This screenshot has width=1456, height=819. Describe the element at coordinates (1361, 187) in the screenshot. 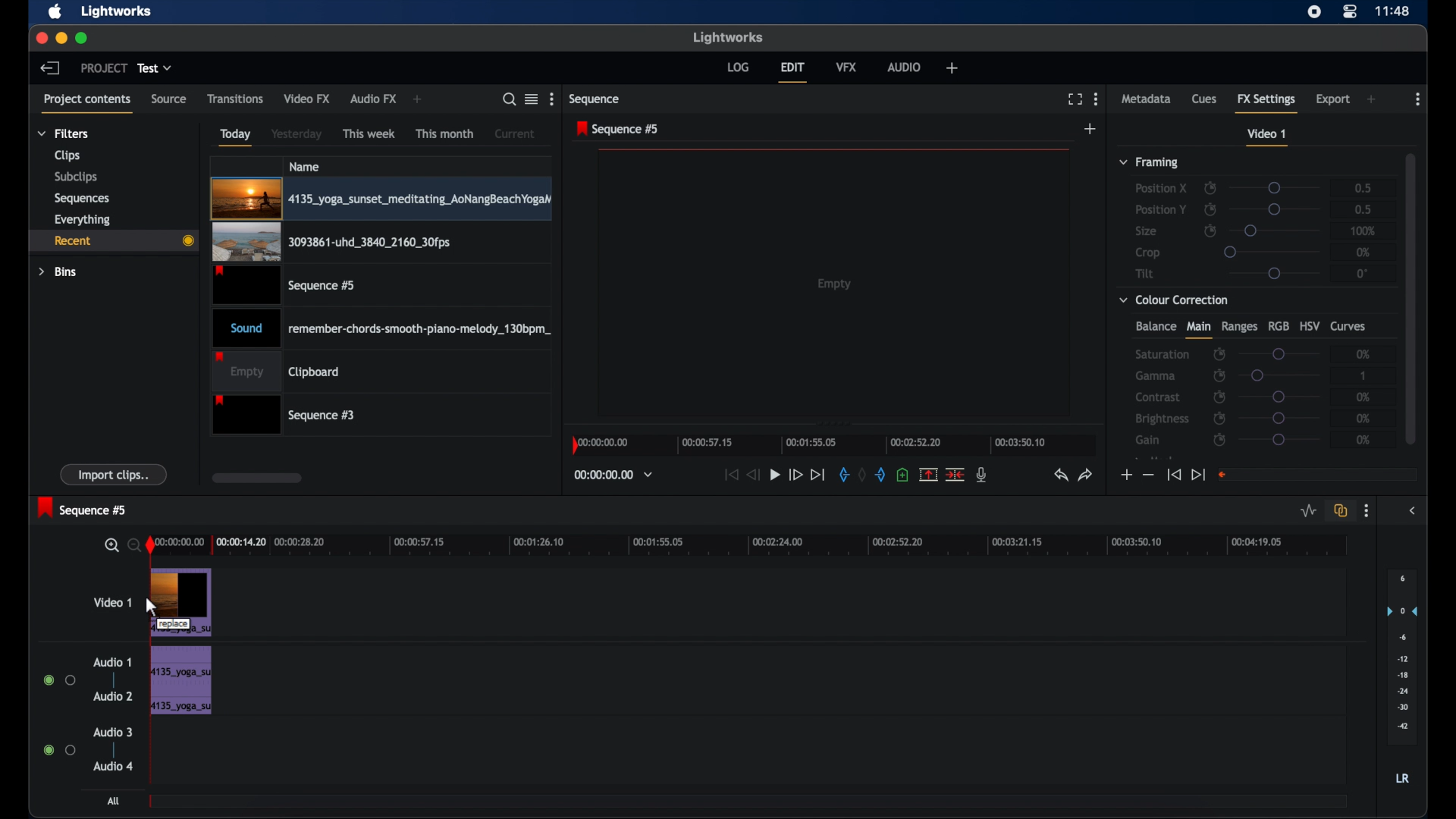

I see `0.5` at that location.